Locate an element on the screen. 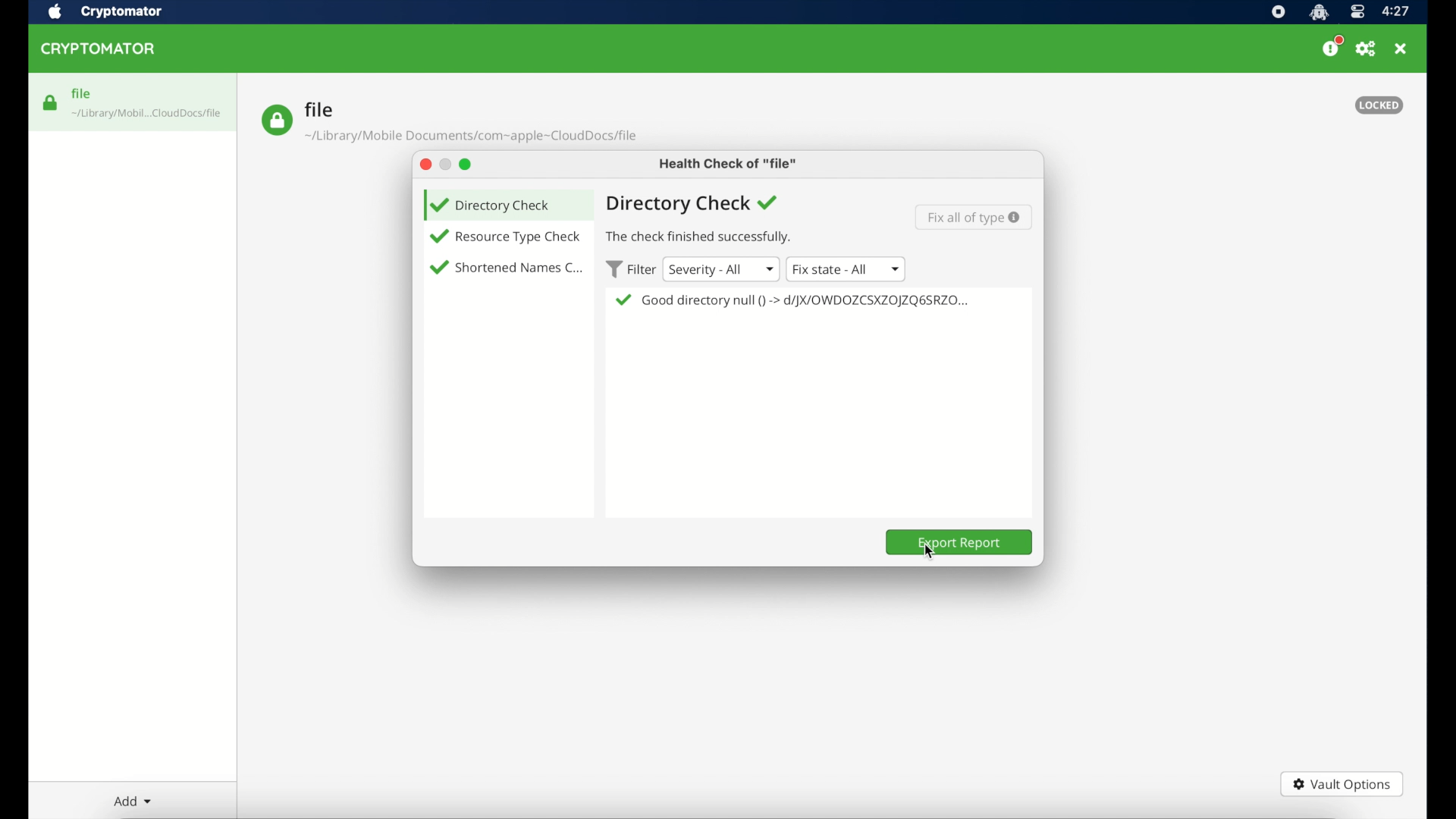 Image resolution: width=1456 pixels, height=819 pixels. vault options is located at coordinates (1342, 784).